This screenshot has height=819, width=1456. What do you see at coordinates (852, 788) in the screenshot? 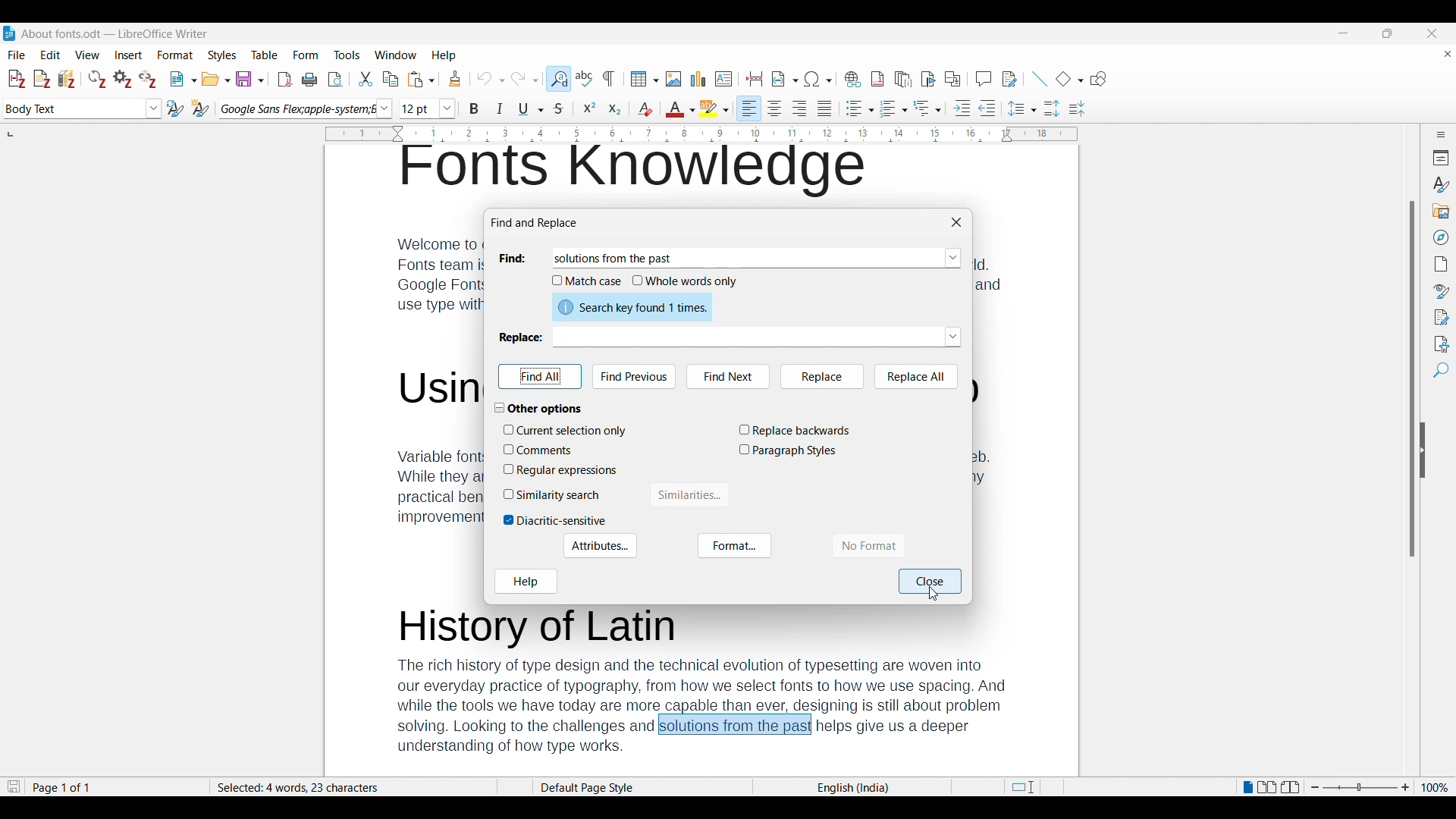
I see `Current text language` at bounding box center [852, 788].